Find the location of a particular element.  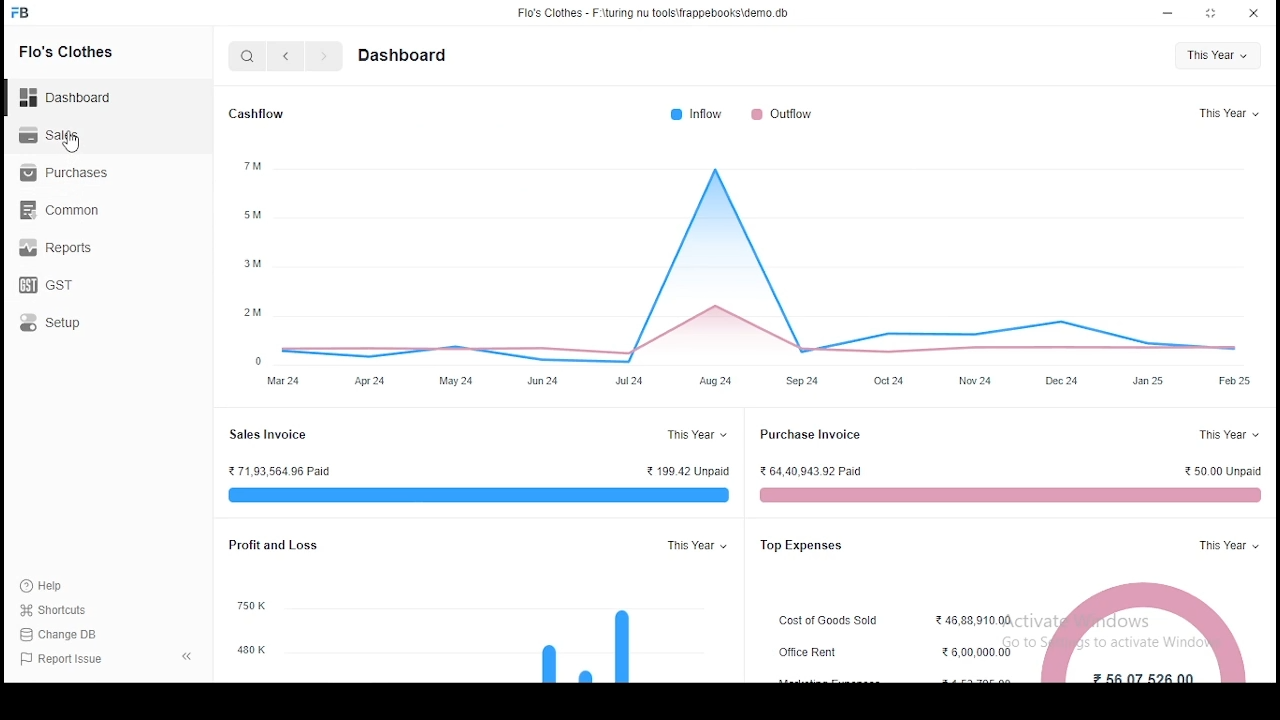

aug 24 is located at coordinates (716, 381).